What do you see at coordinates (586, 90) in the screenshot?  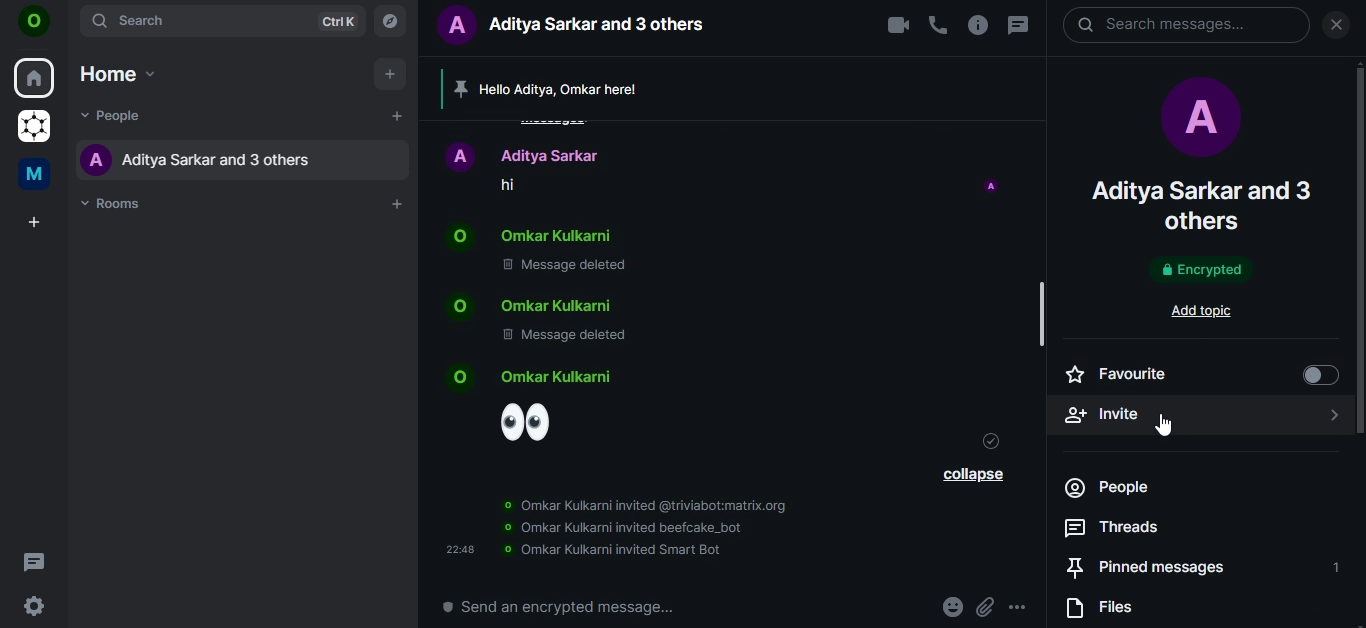 I see ` Hello Aditya, Omkar here!` at bounding box center [586, 90].